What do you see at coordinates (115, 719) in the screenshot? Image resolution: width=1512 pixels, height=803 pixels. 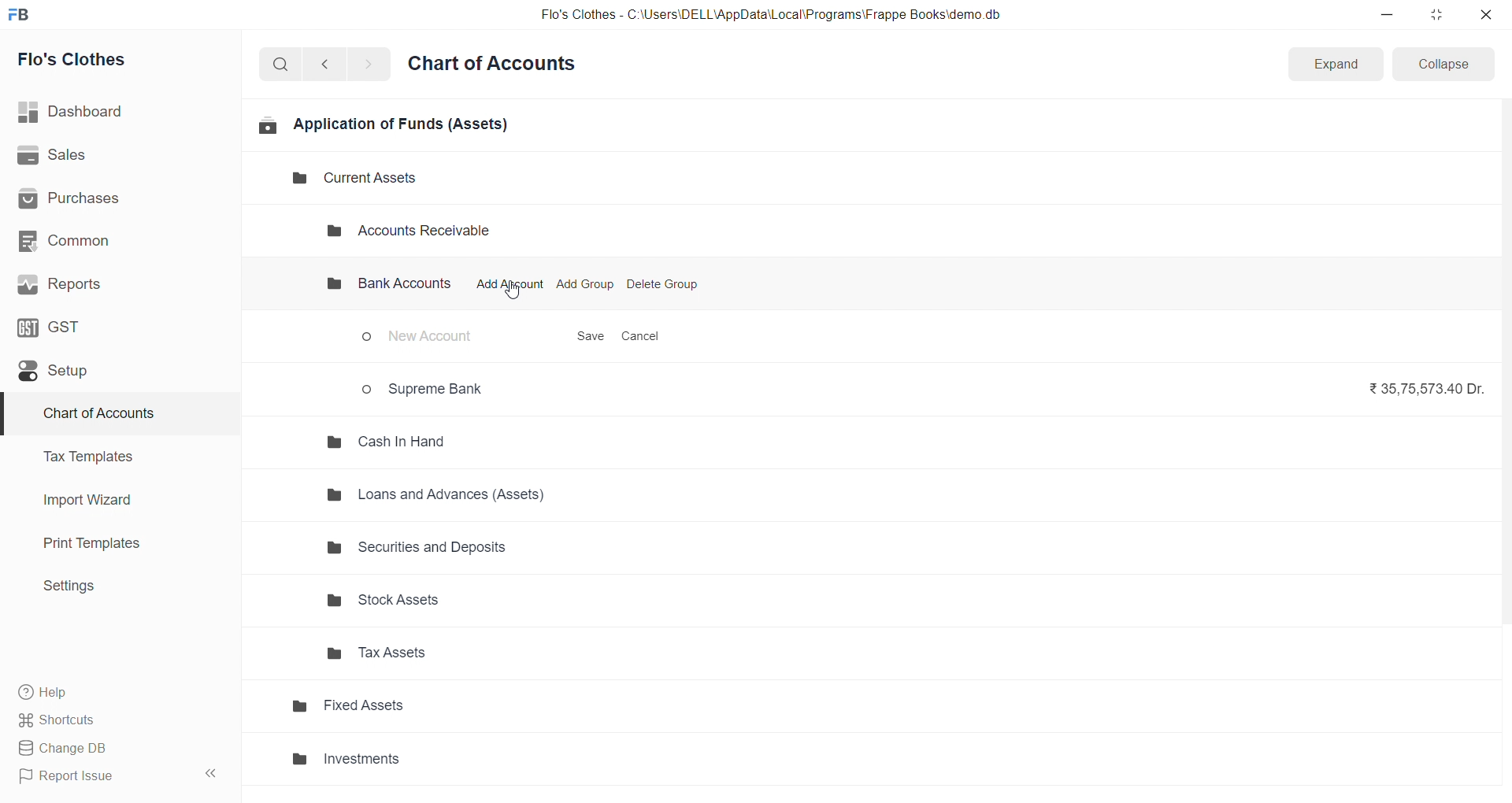 I see `Shortcuts` at bounding box center [115, 719].